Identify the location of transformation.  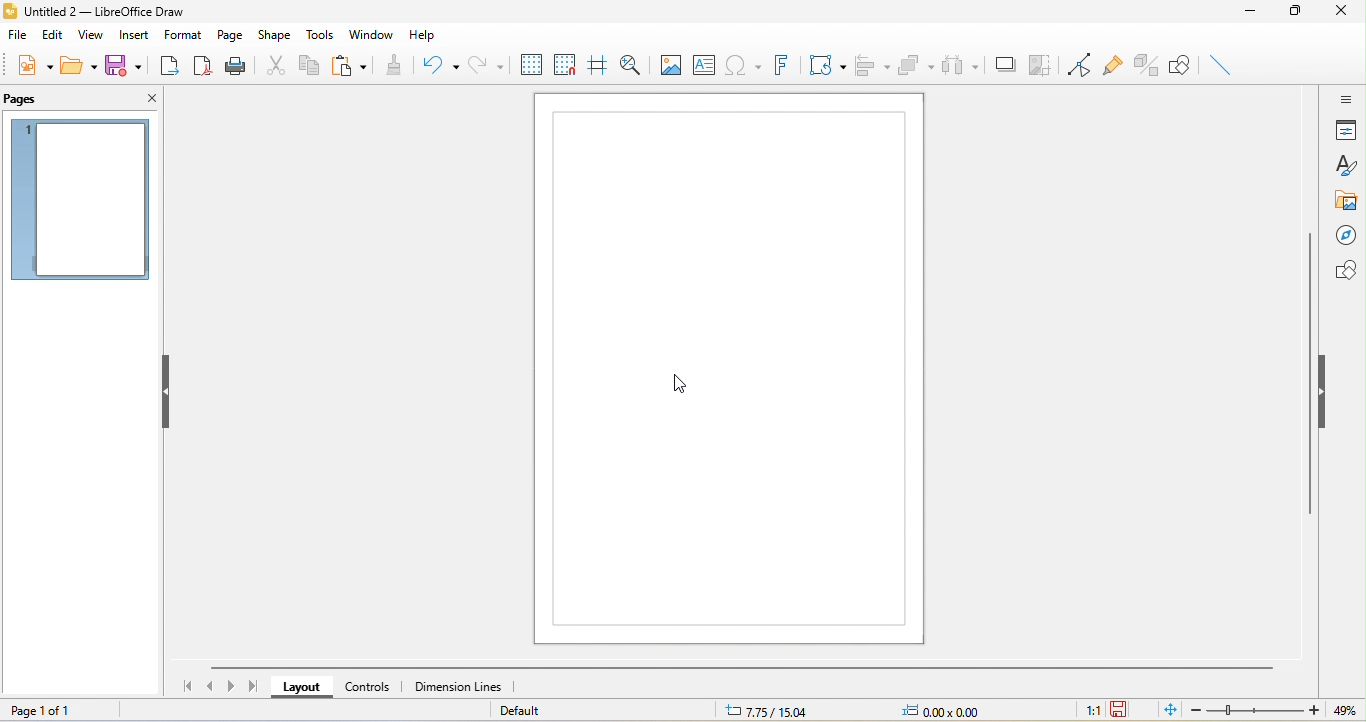
(823, 67).